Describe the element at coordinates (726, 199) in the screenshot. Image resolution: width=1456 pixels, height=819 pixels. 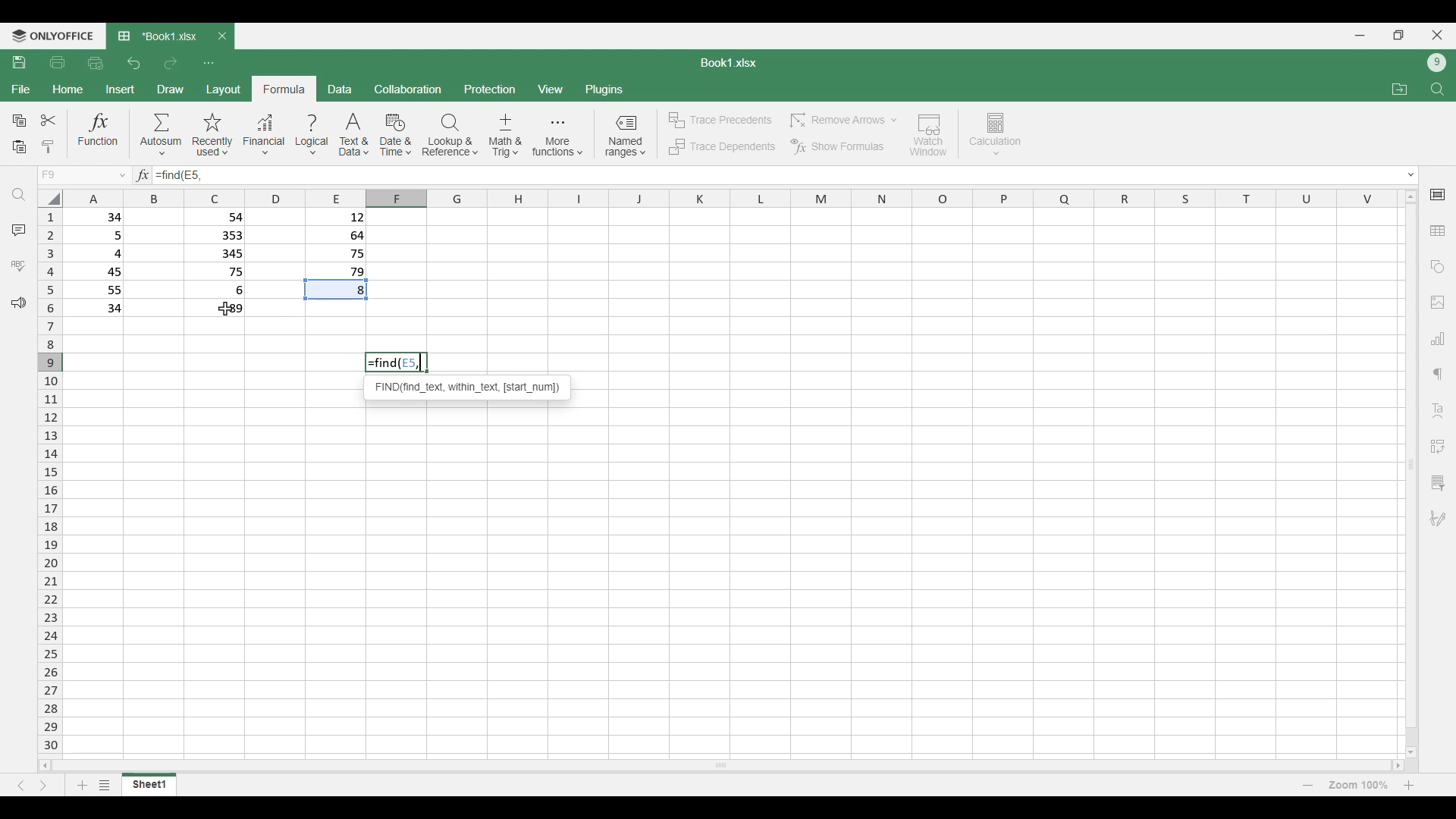
I see `Indicates columns` at that location.